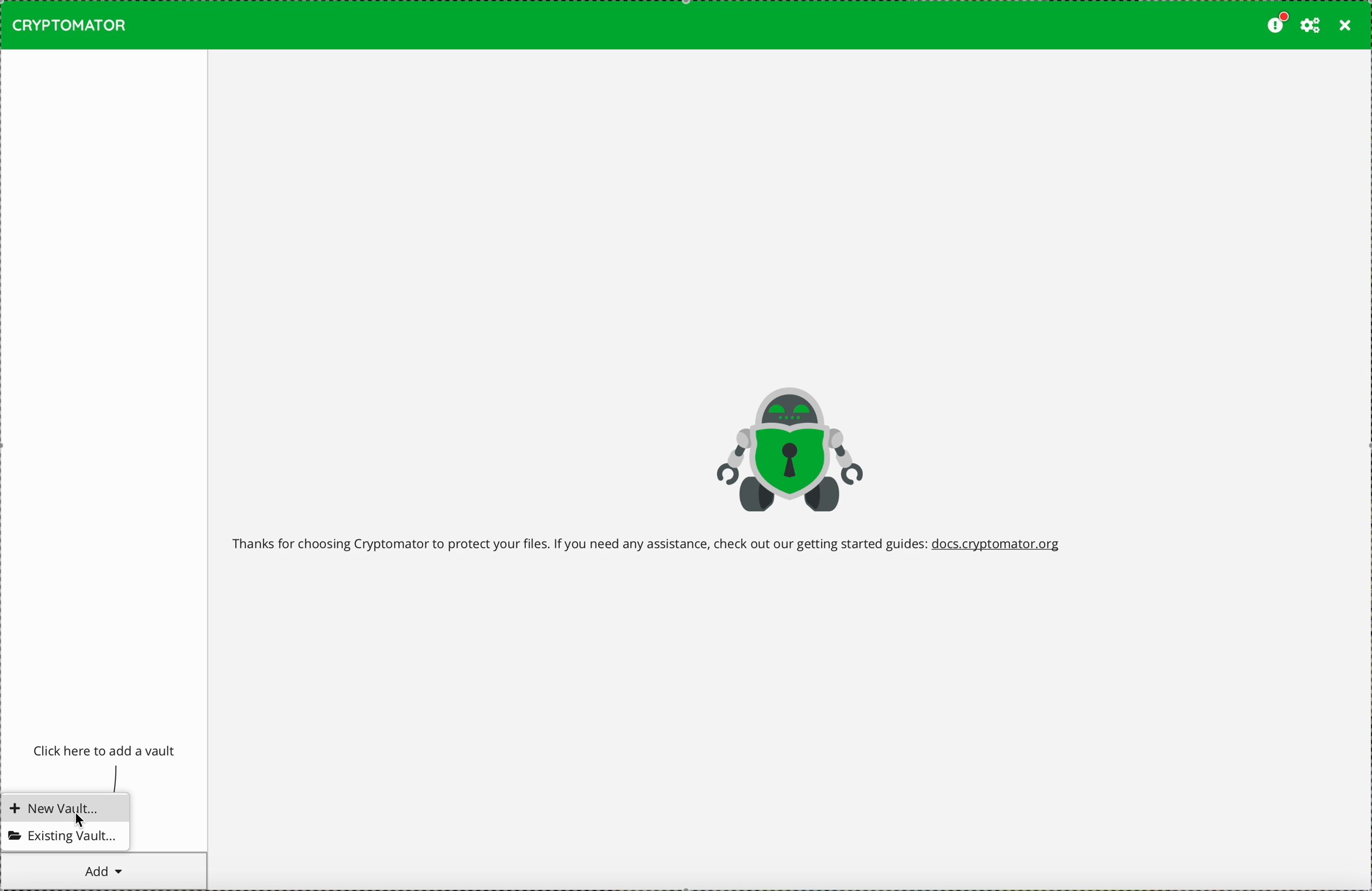  What do you see at coordinates (82, 821) in the screenshot?
I see `mouse pointer` at bounding box center [82, 821].